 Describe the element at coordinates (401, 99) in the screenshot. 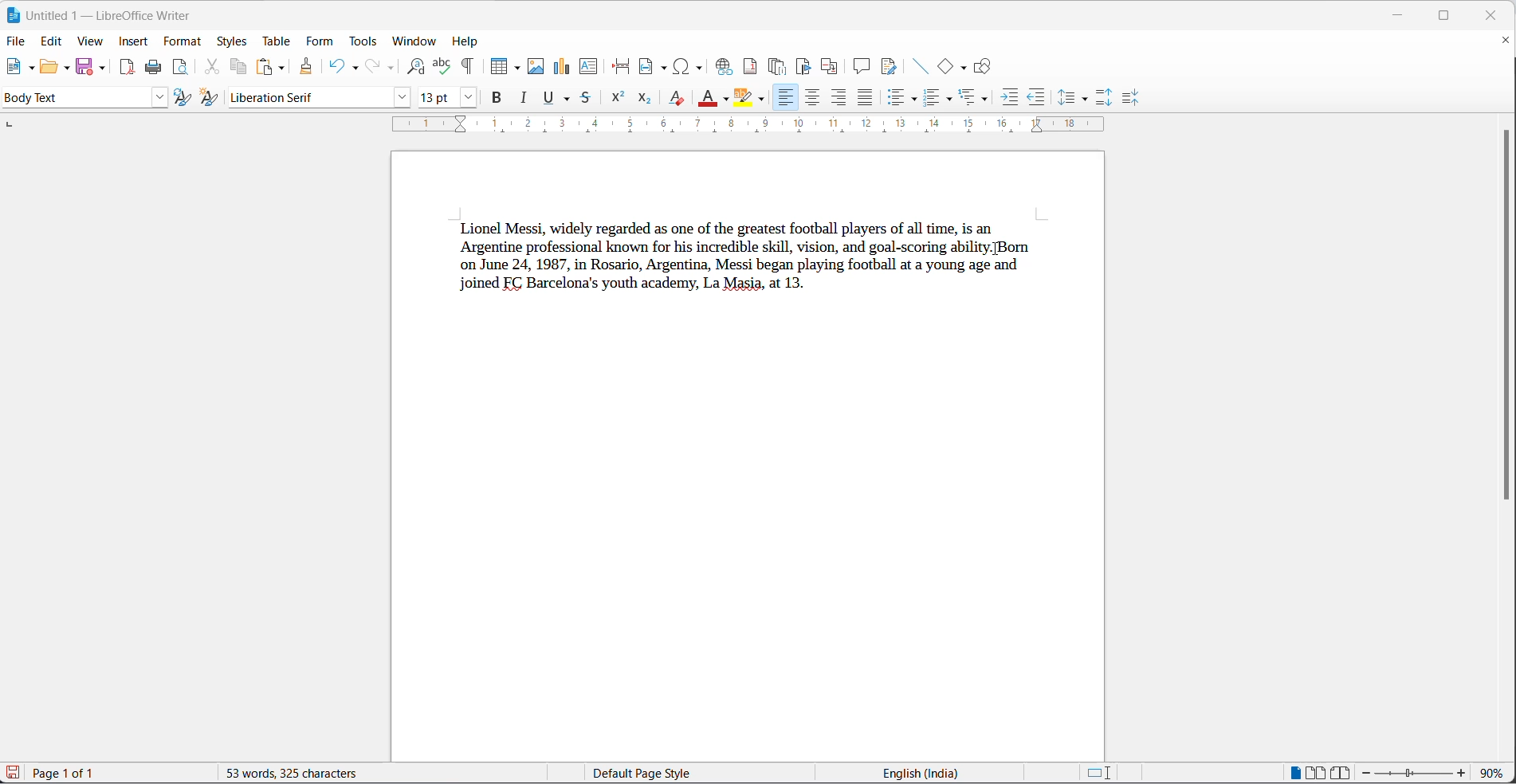

I see `font name options` at that location.